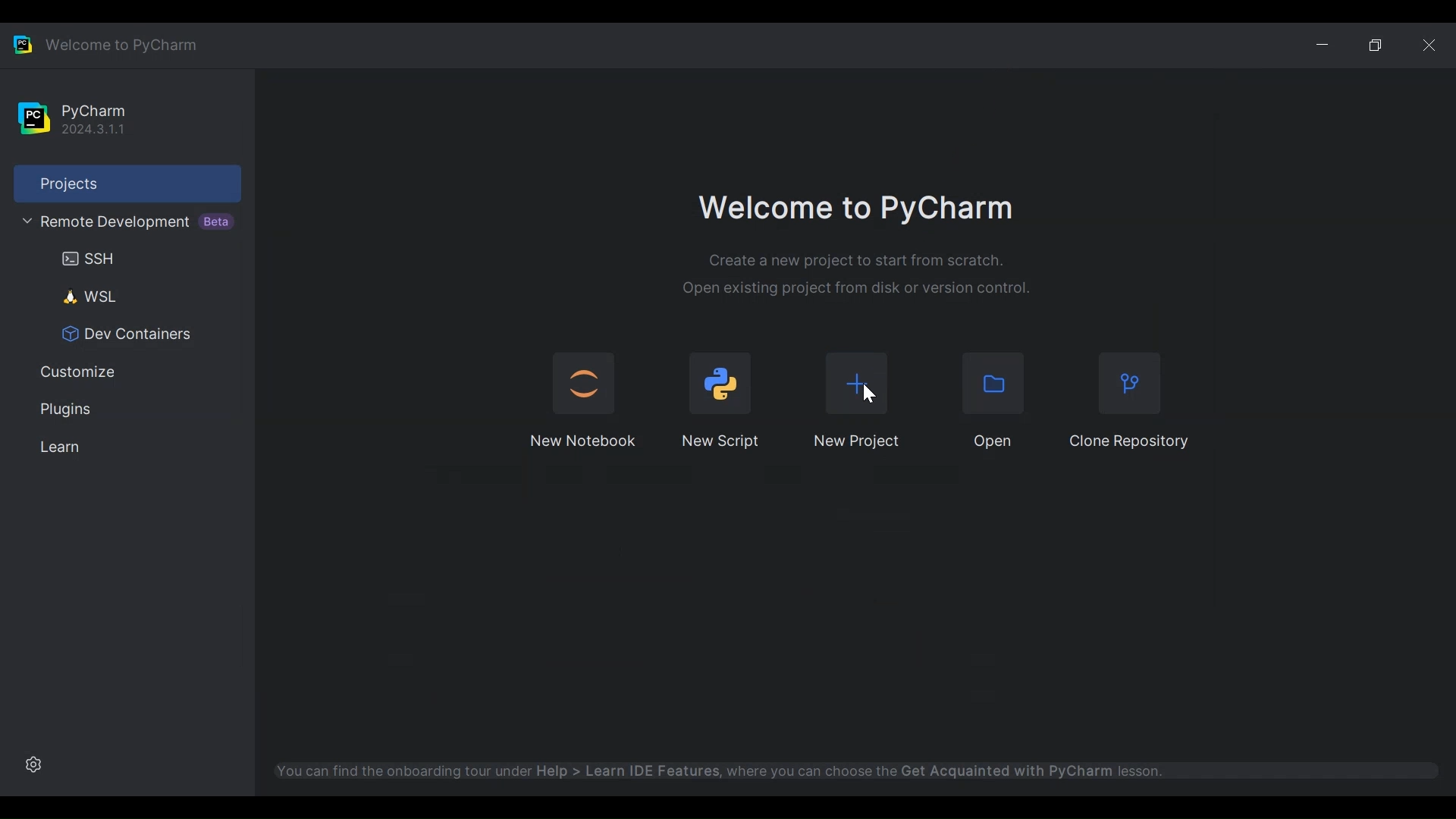 This screenshot has height=819, width=1456. What do you see at coordinates (1429, 44) in the screenshot?
I see `Close` at bounding box center [1429, 44].